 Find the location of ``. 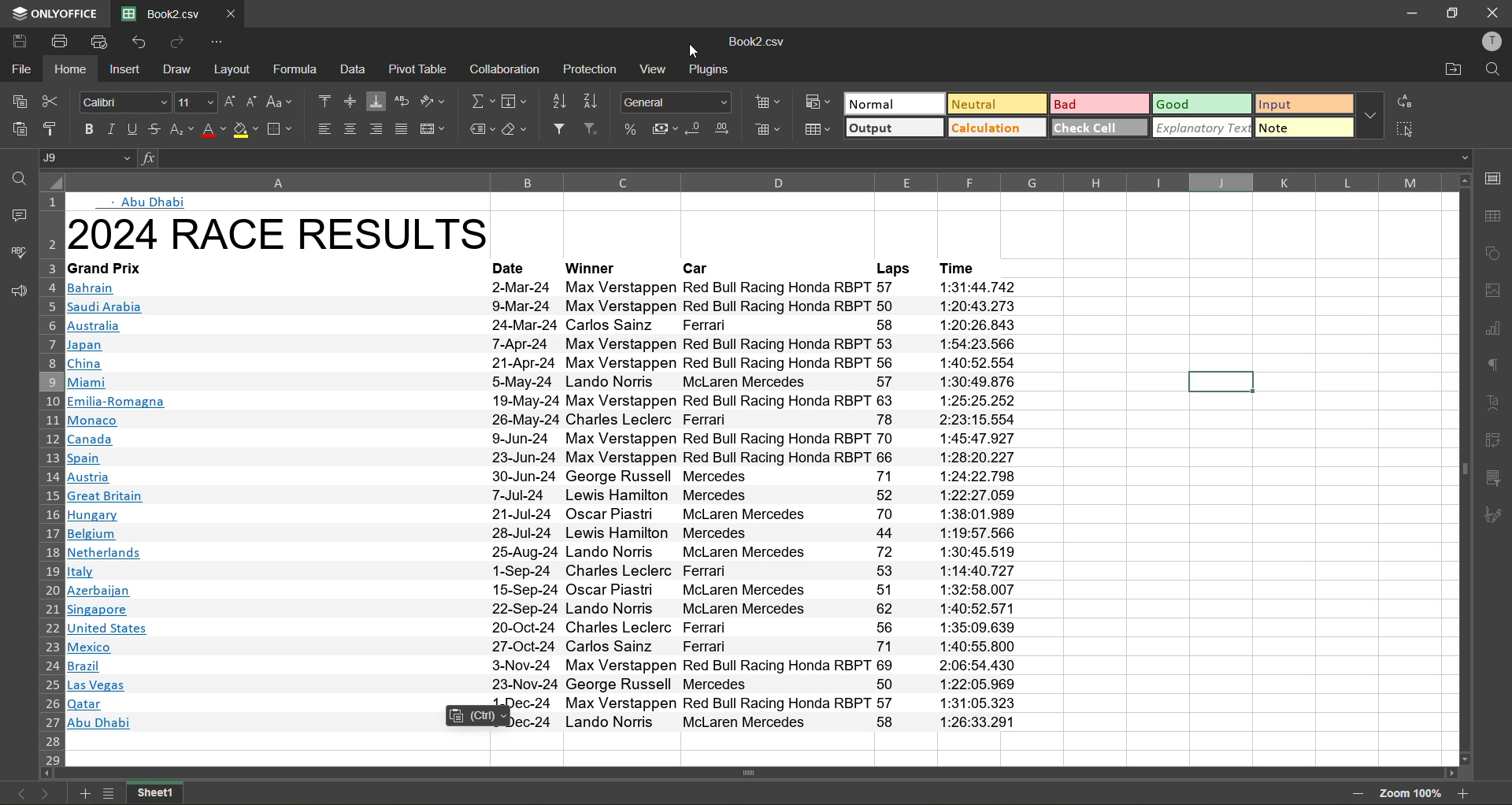

 is located at coordinates (544, 308).